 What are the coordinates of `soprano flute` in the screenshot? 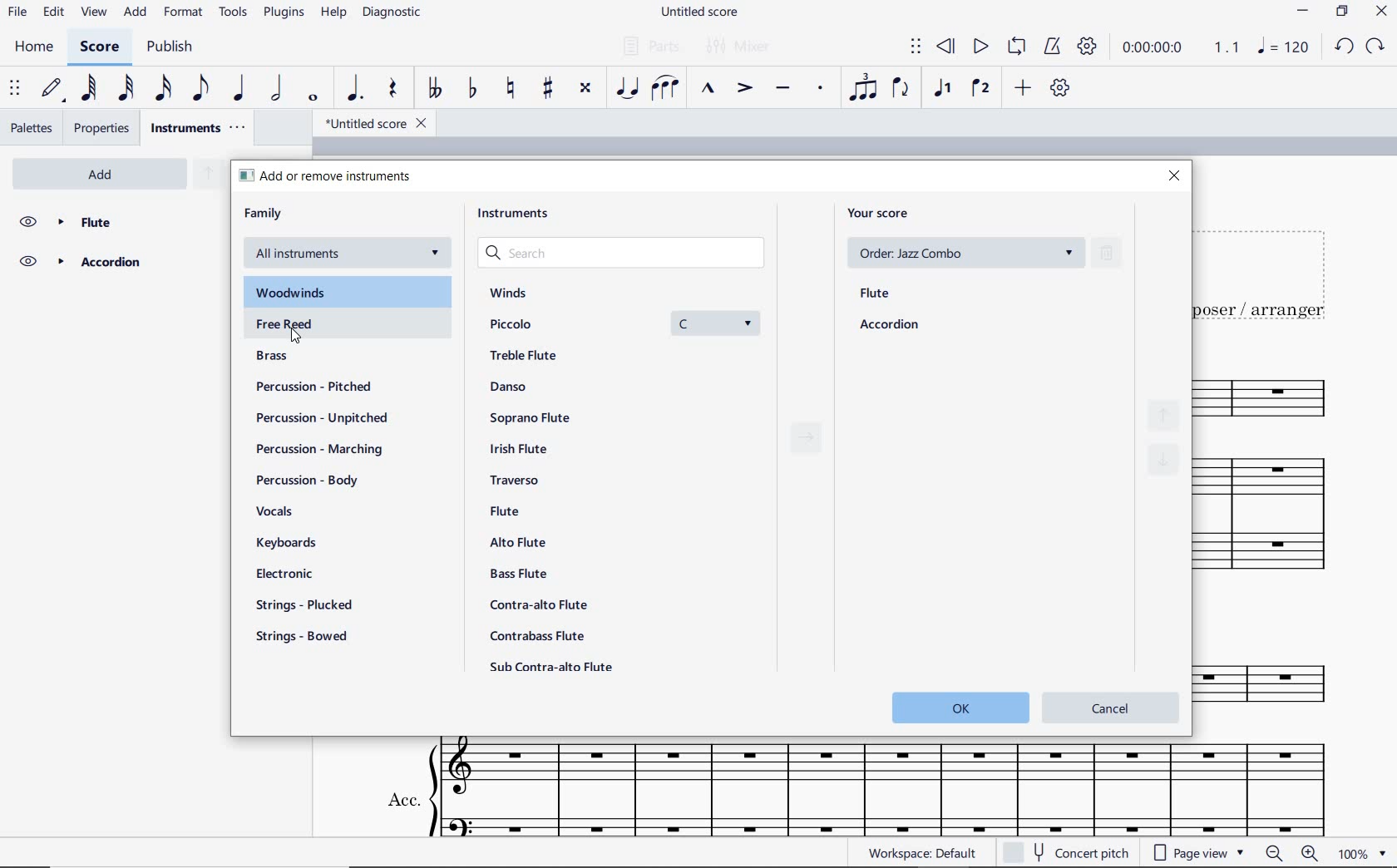 It's located at (528, 417).